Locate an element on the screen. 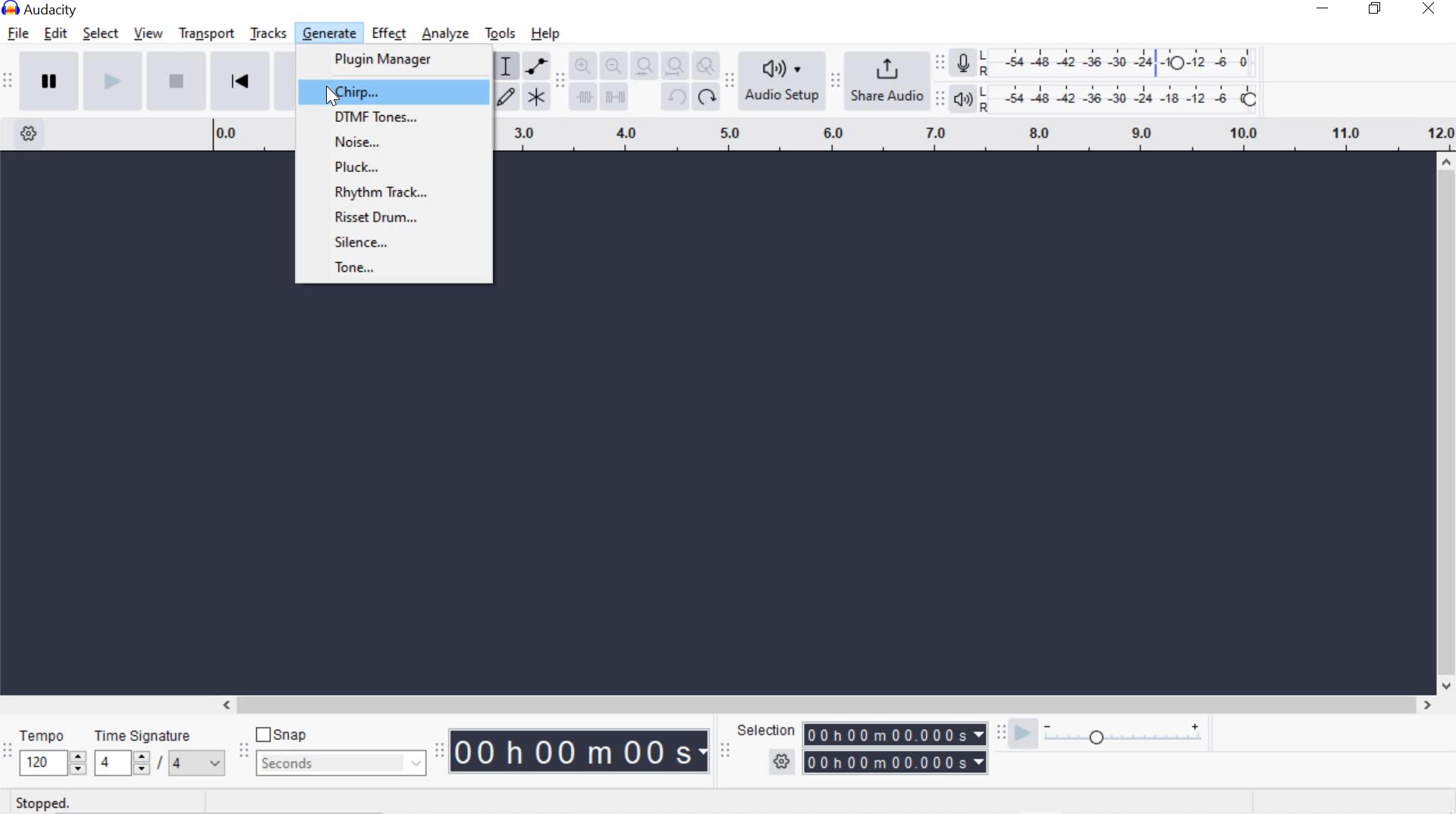 The image size is (1456, 814). Recording meter toolbar is located at coordinates (939, 64).